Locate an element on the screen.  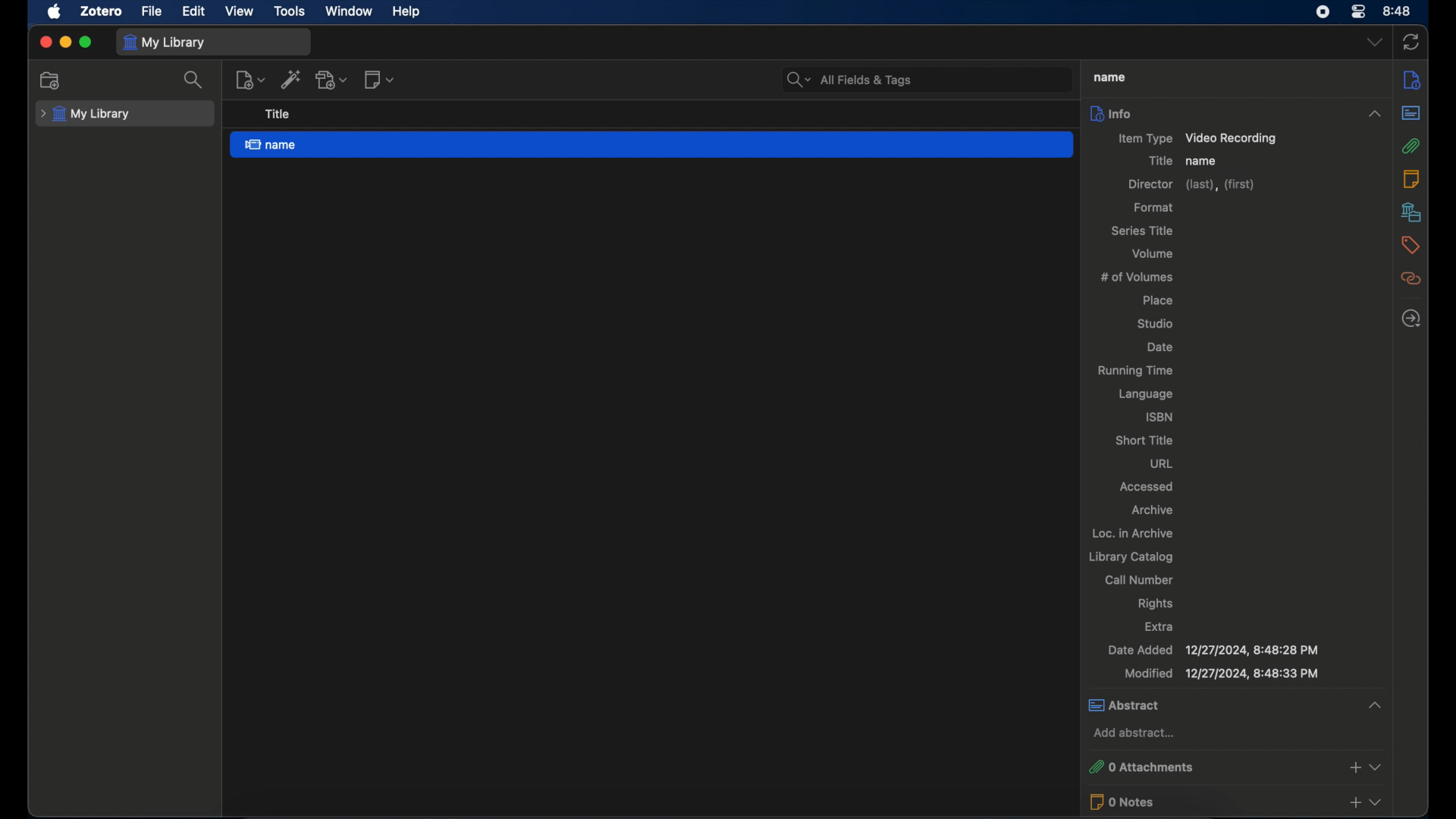
new note is located at coordinates (379, 80).